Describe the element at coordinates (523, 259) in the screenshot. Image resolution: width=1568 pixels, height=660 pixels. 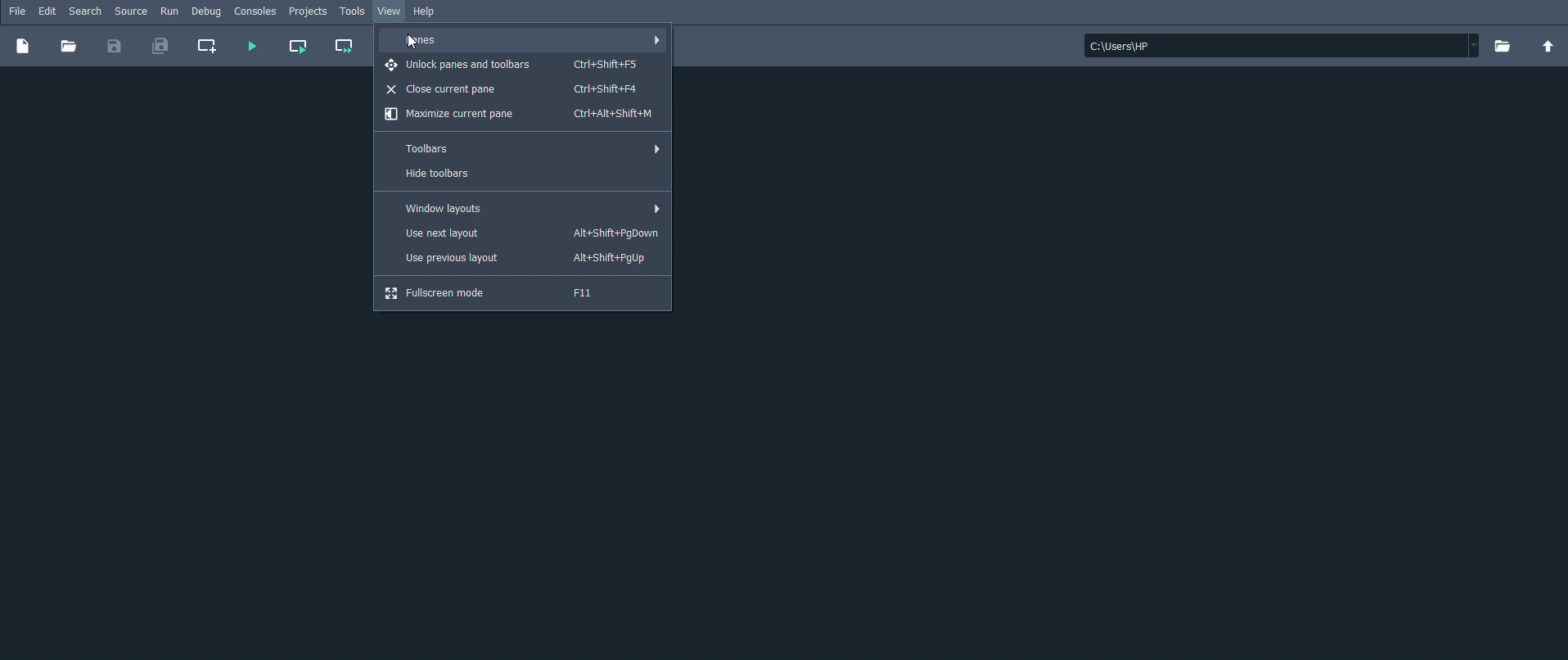
I see `Use previous layout` at that location.